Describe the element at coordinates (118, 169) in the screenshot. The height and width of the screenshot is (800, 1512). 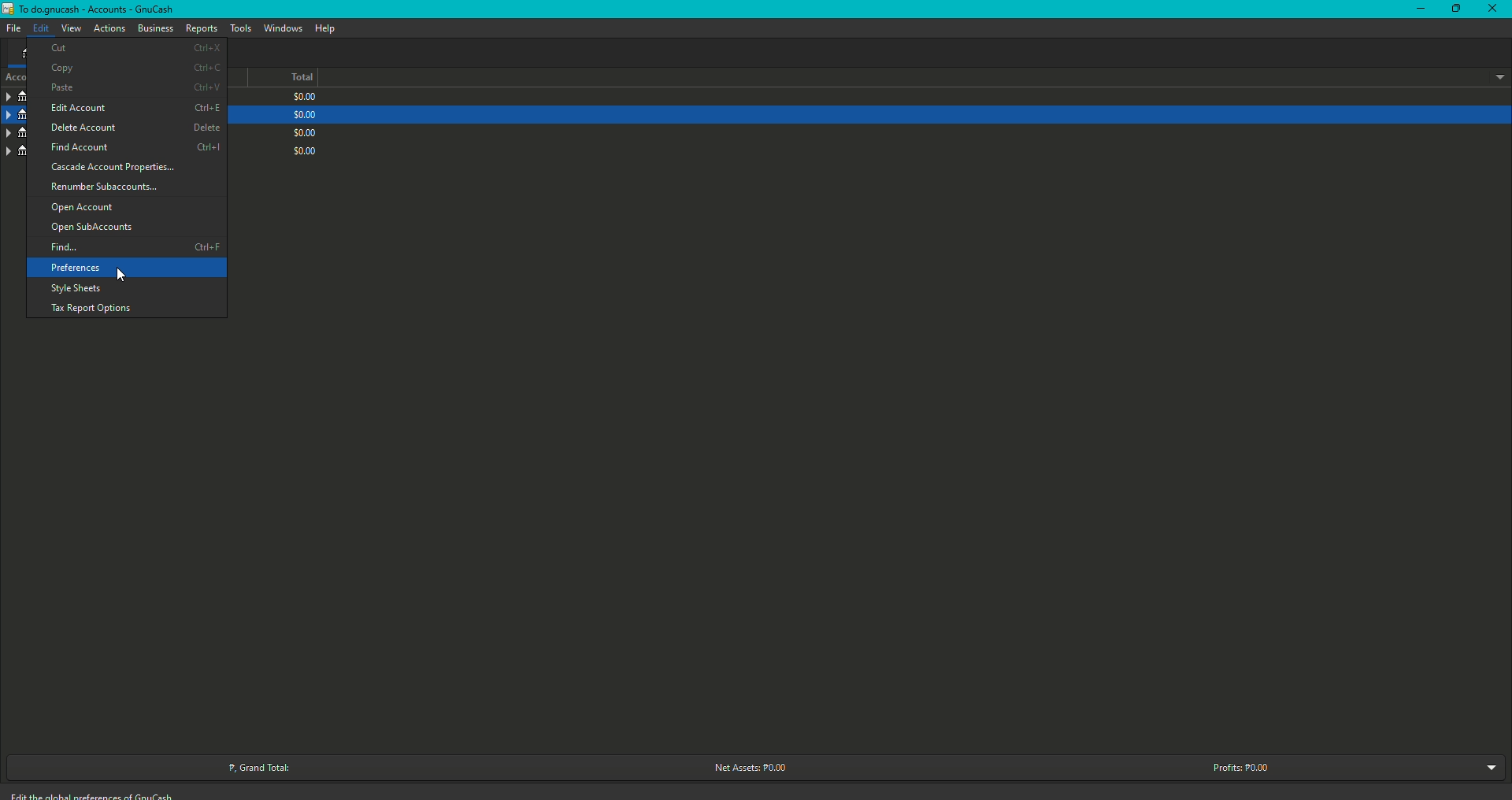
I see `Cascade Account Properties` at that location.